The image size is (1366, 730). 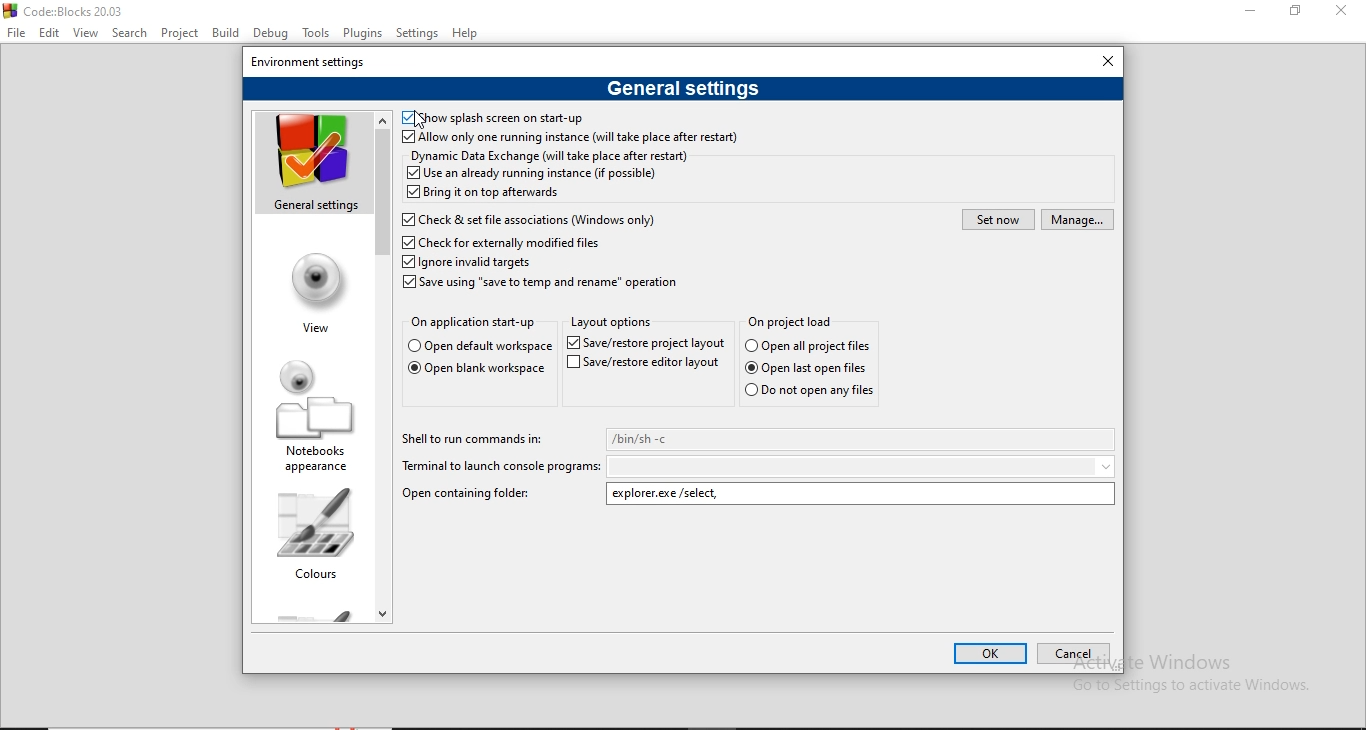 I want to click on On application start-up, so click(x=474, y=326).